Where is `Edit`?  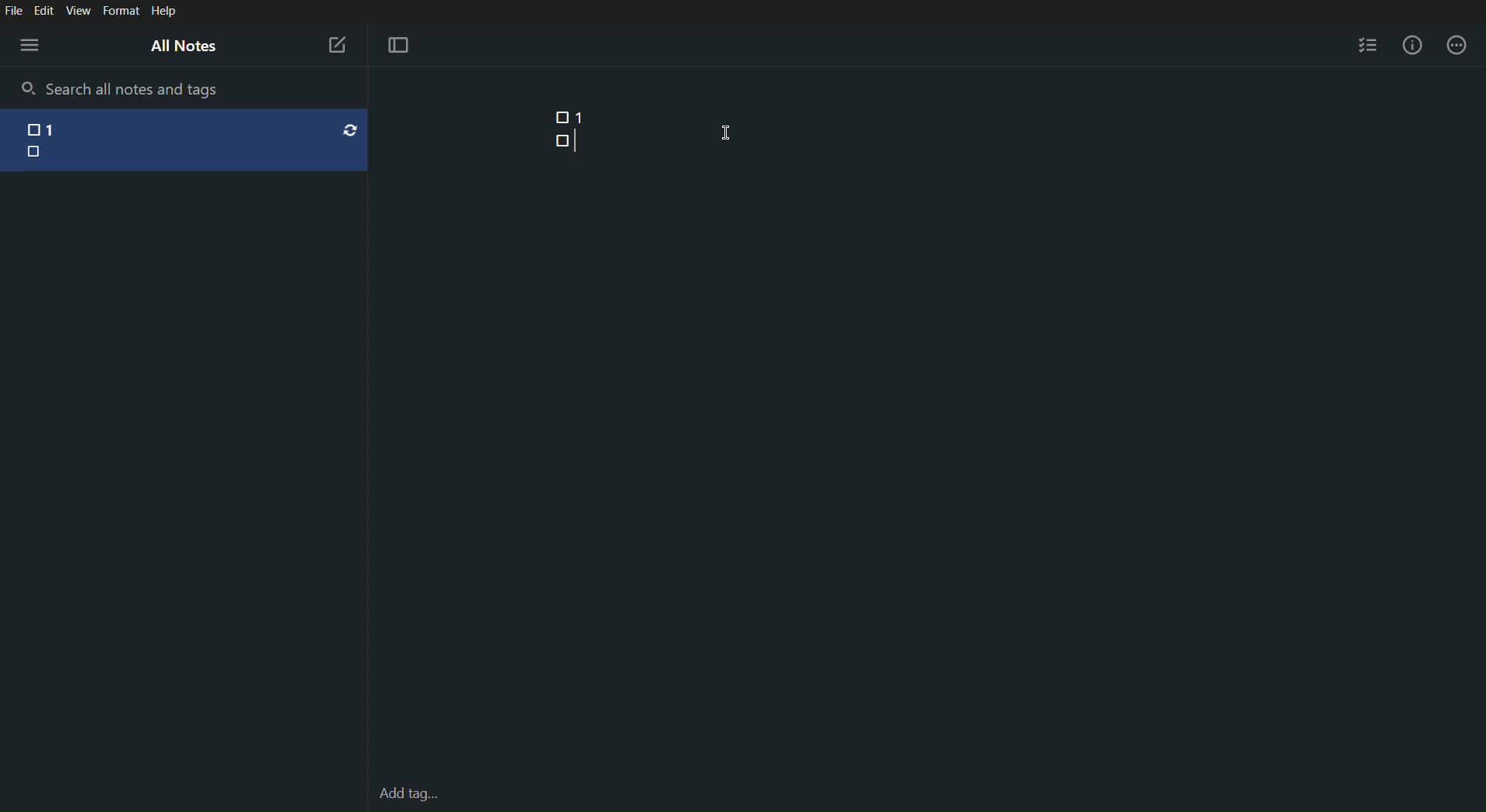 Edit is located at coordinates (44, 10).